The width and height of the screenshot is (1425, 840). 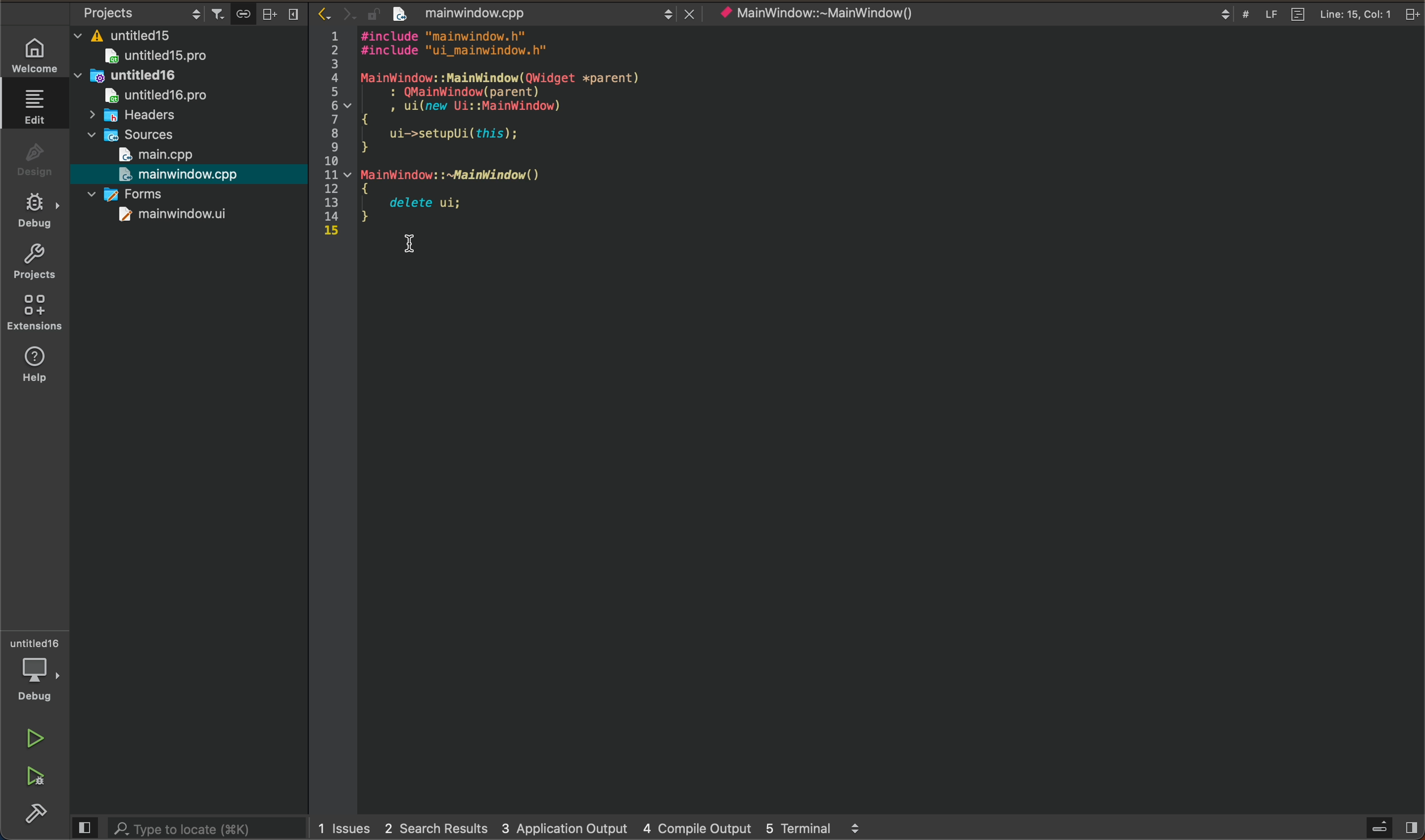 I want to click on Type to locate, so click(x=182, y=828).